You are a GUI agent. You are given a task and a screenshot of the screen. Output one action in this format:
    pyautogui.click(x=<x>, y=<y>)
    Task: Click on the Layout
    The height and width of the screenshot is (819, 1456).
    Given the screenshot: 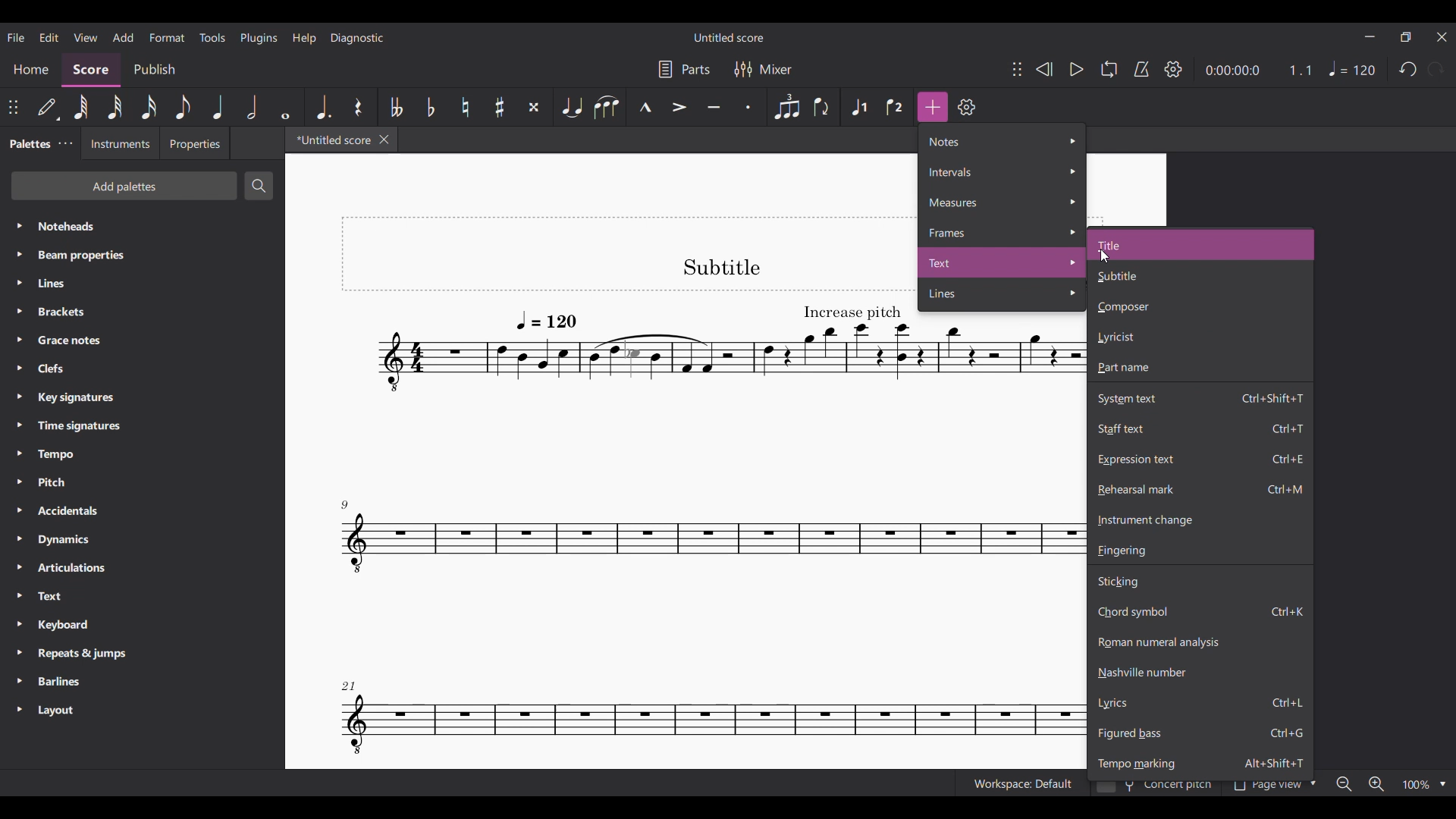 What is the action you would take?
    pyautogui.click(x=142, y=711)
    